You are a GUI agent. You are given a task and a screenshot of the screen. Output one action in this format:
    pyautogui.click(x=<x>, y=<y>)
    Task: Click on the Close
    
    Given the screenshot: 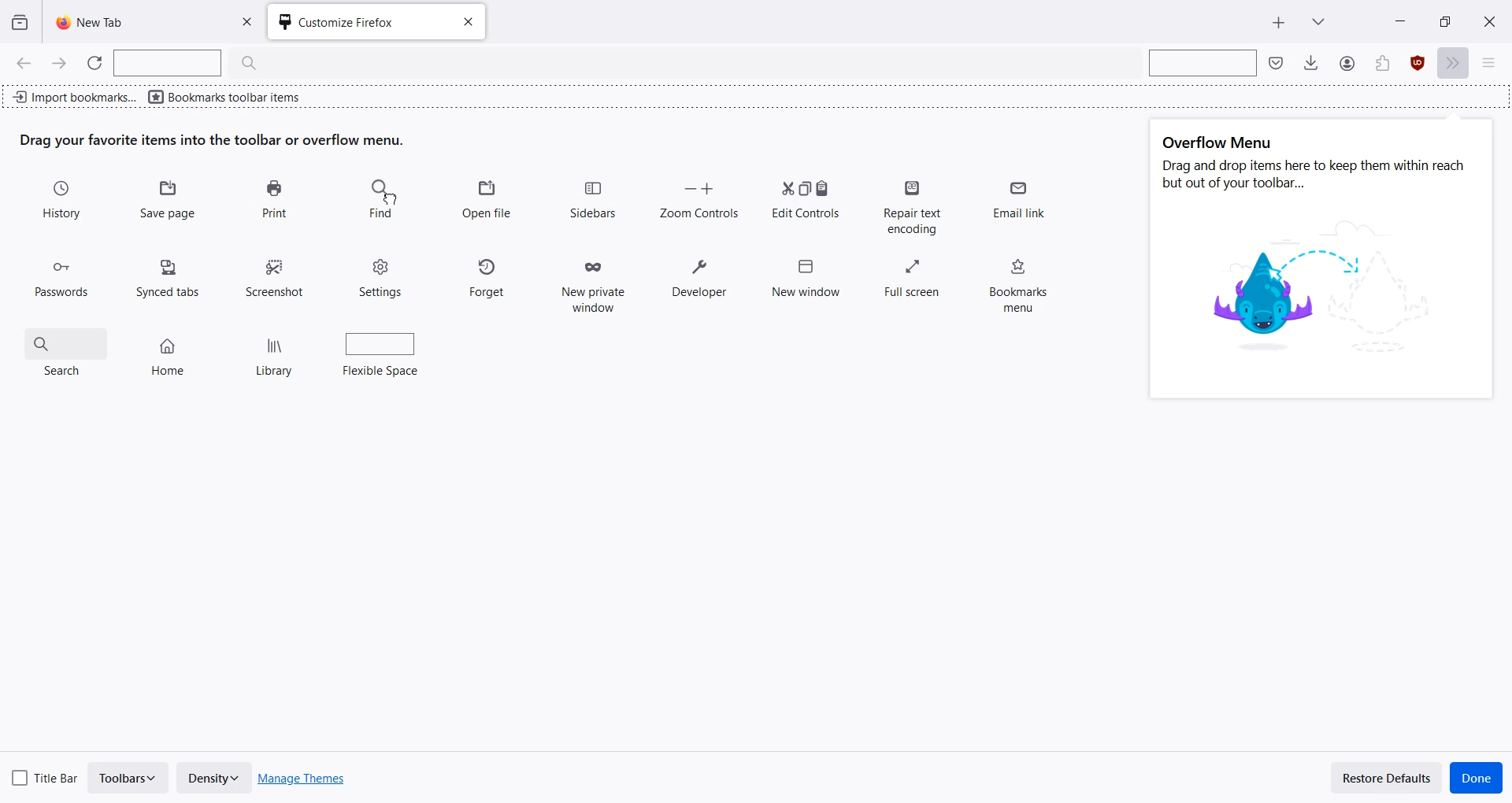 What is the action you would take?
    pyautogui.click(x=1489, y=20)
    